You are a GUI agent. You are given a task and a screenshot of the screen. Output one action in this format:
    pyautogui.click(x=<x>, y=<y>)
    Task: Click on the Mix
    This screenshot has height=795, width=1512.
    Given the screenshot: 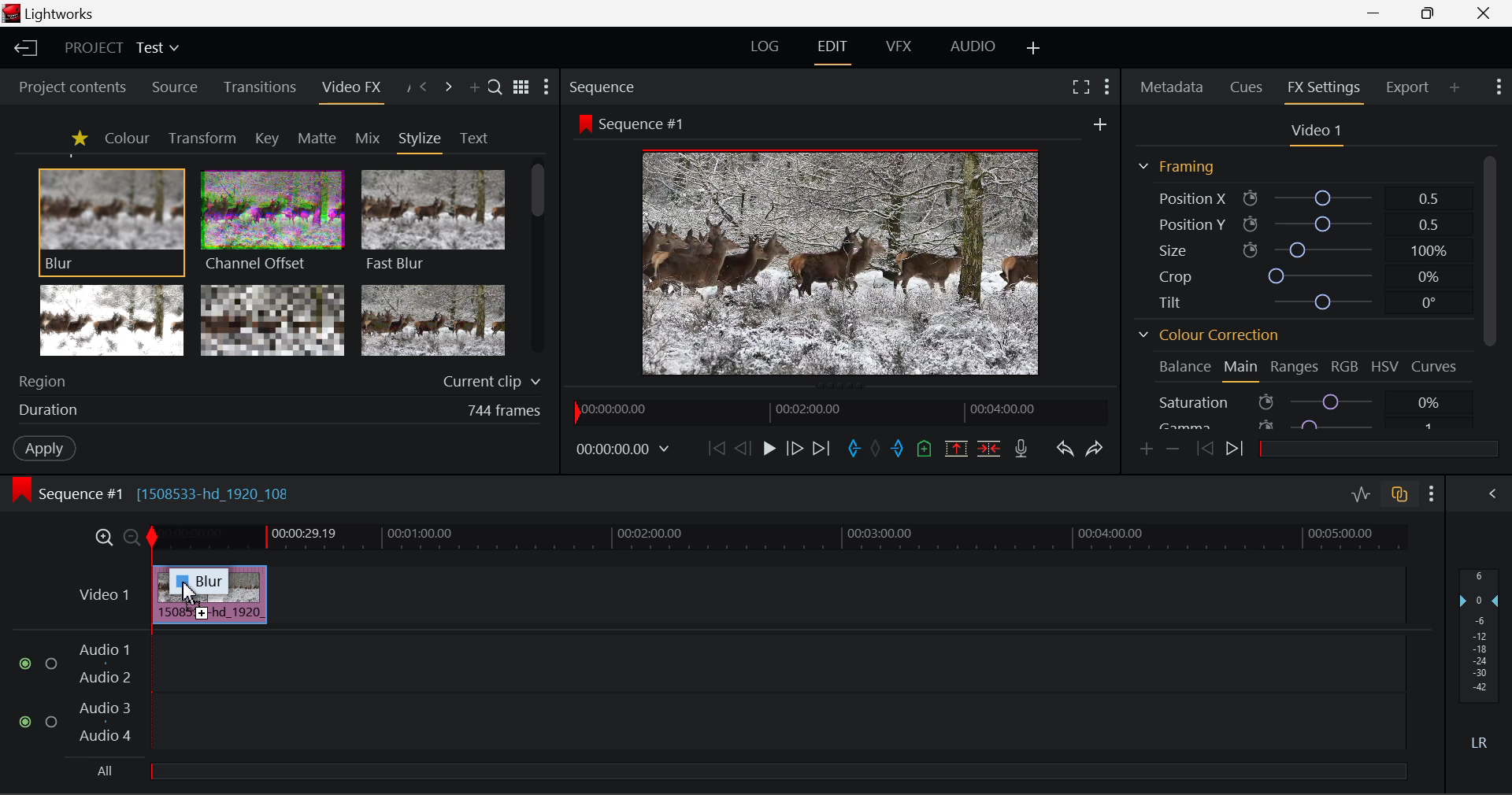 What is the action you would take?
    pyautogui.click(x=367, y=137)
    